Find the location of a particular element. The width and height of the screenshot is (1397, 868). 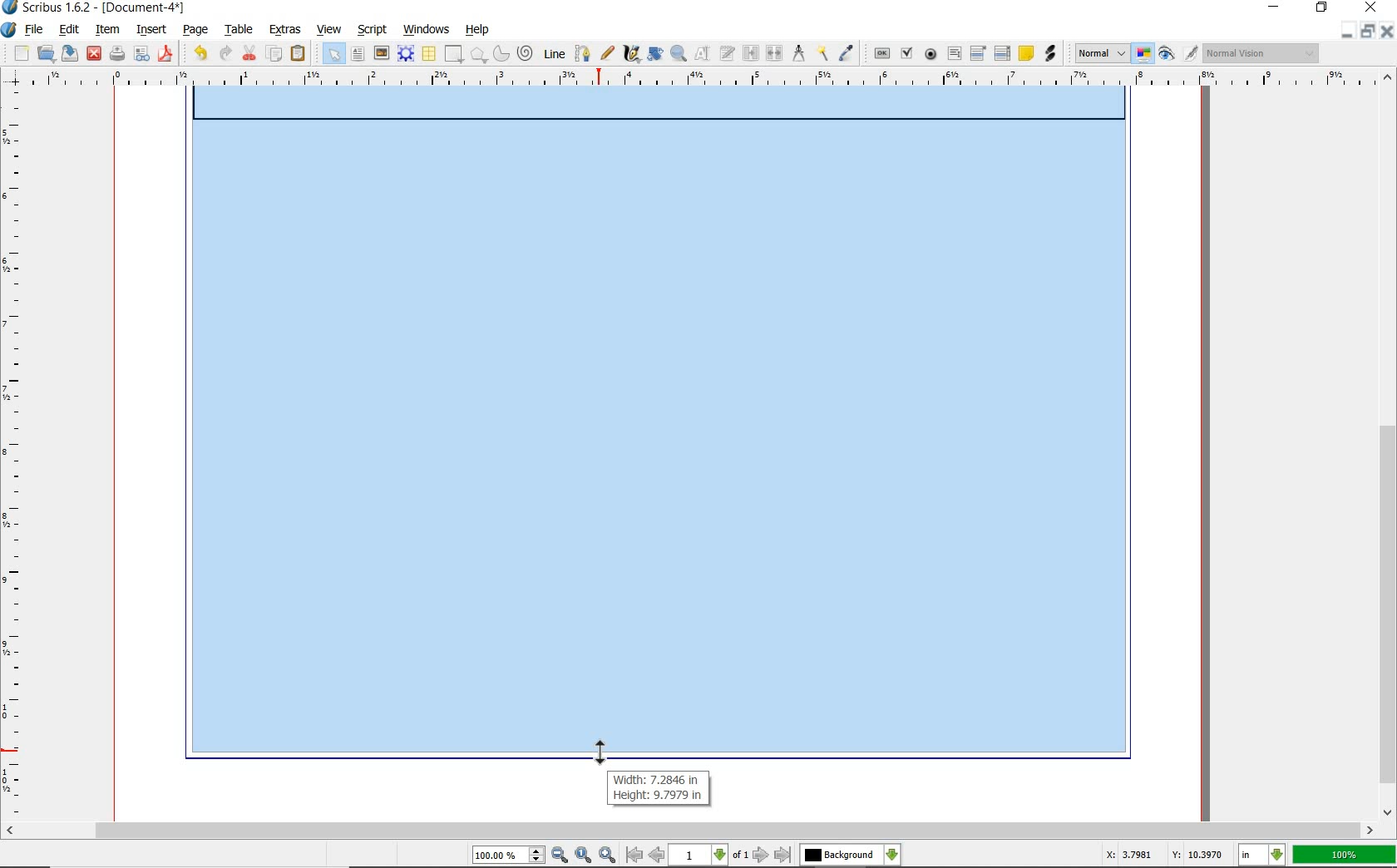

minimize is located at coordinates (1275, 7).